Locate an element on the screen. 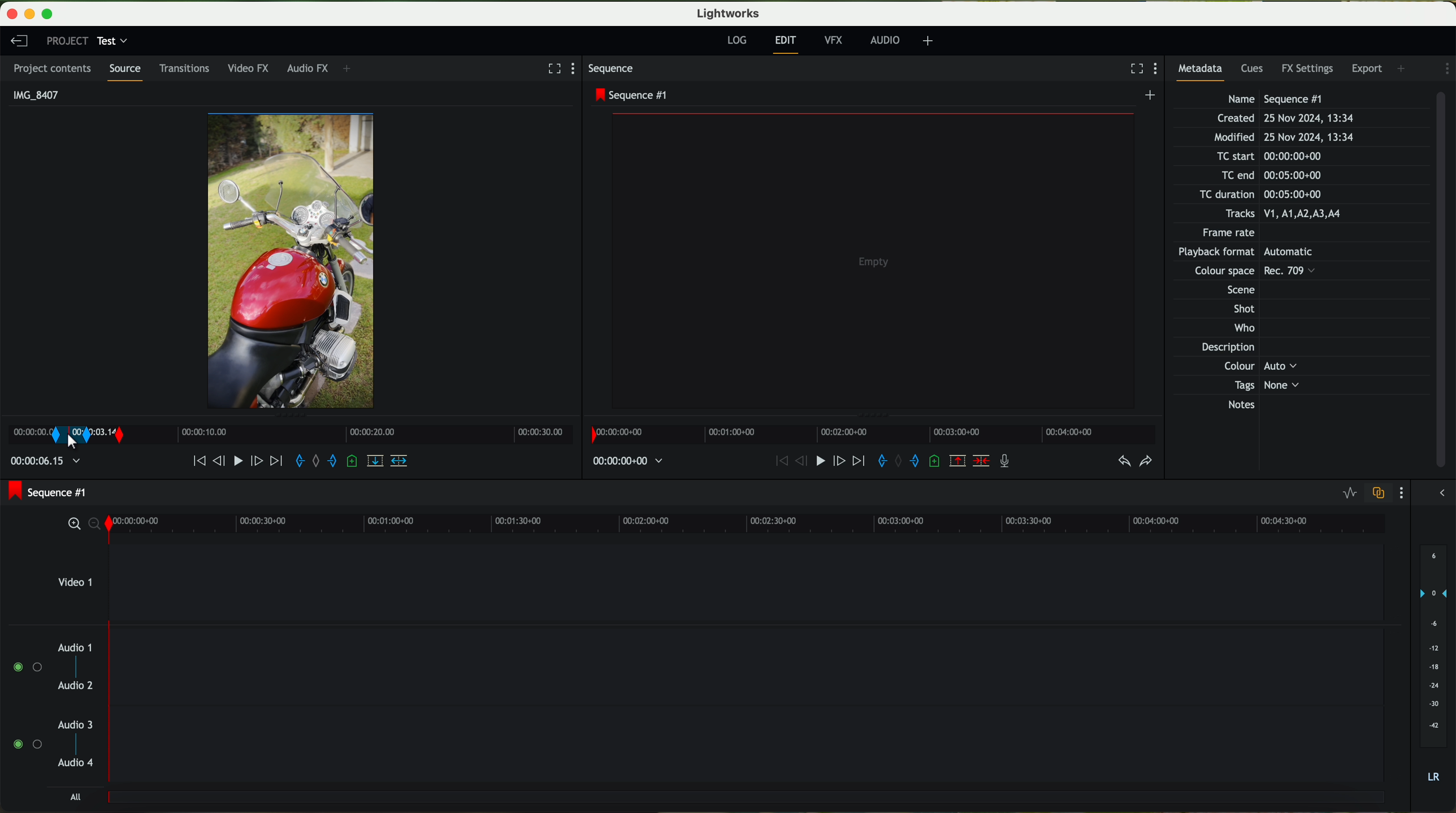   is located at coordinates (1242, 273).